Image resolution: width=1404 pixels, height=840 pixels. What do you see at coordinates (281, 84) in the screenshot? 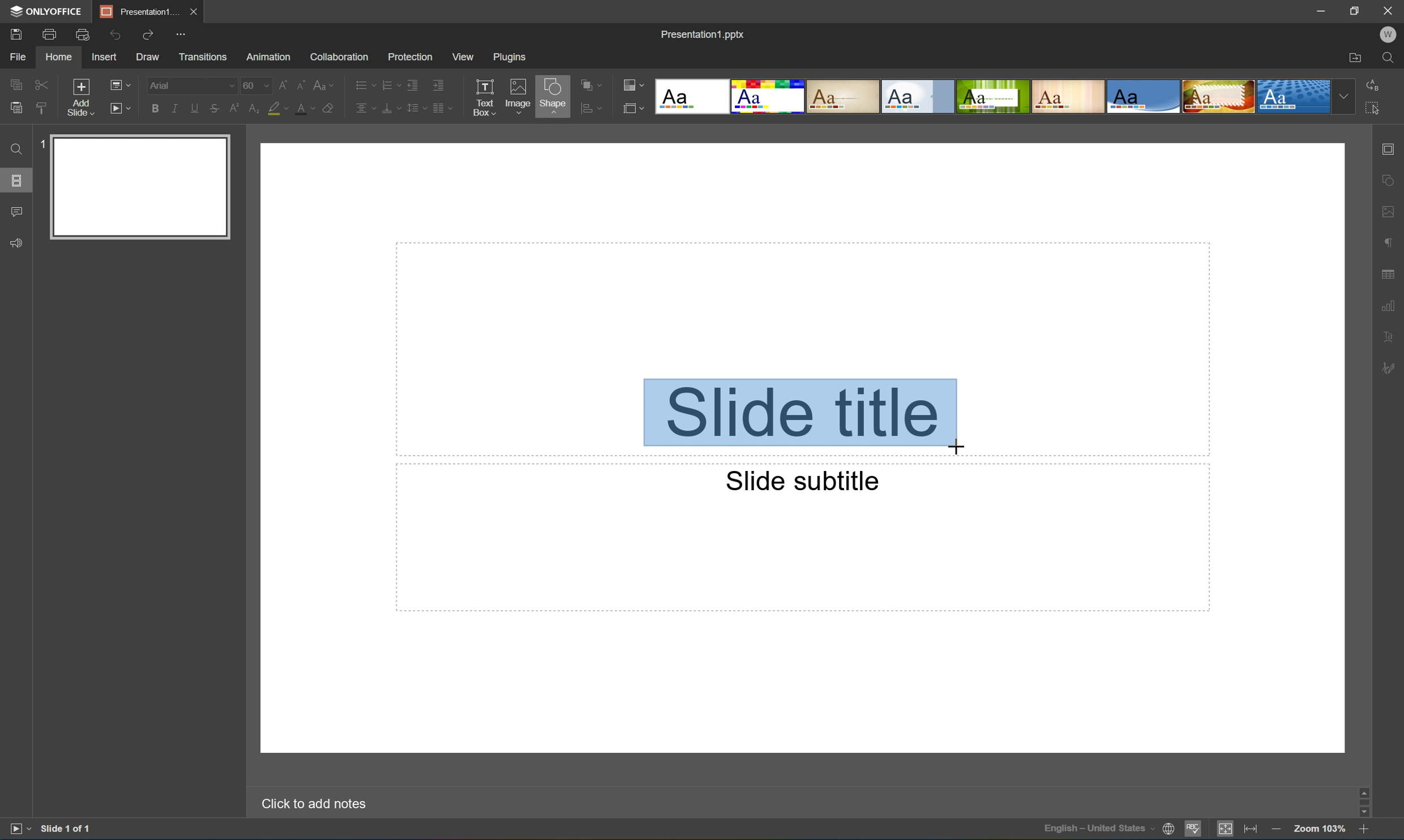
I see `Increment font size` at bounding box center [281, 84].